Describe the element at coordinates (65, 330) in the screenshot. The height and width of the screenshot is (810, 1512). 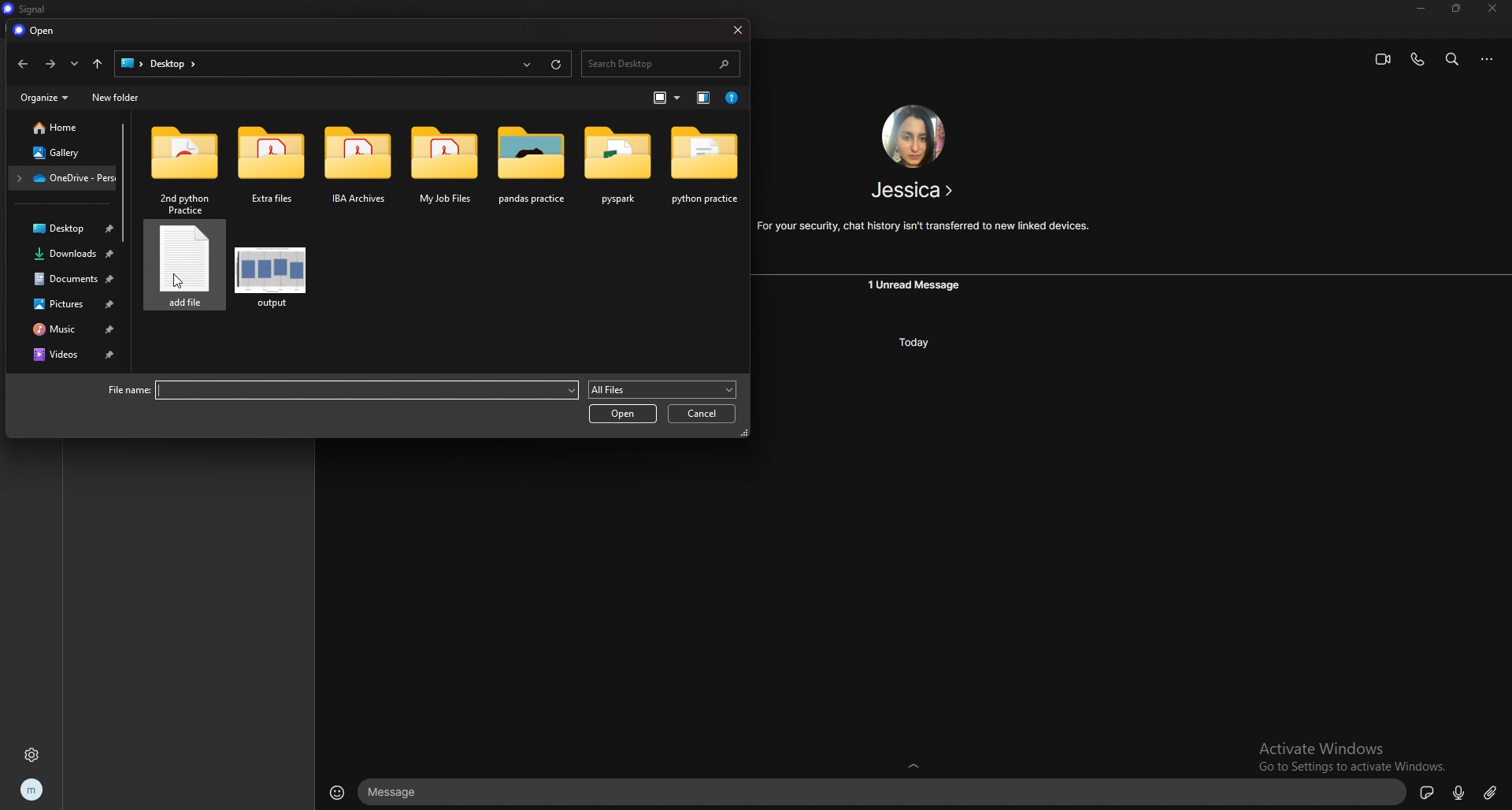
I see `music` at that location.